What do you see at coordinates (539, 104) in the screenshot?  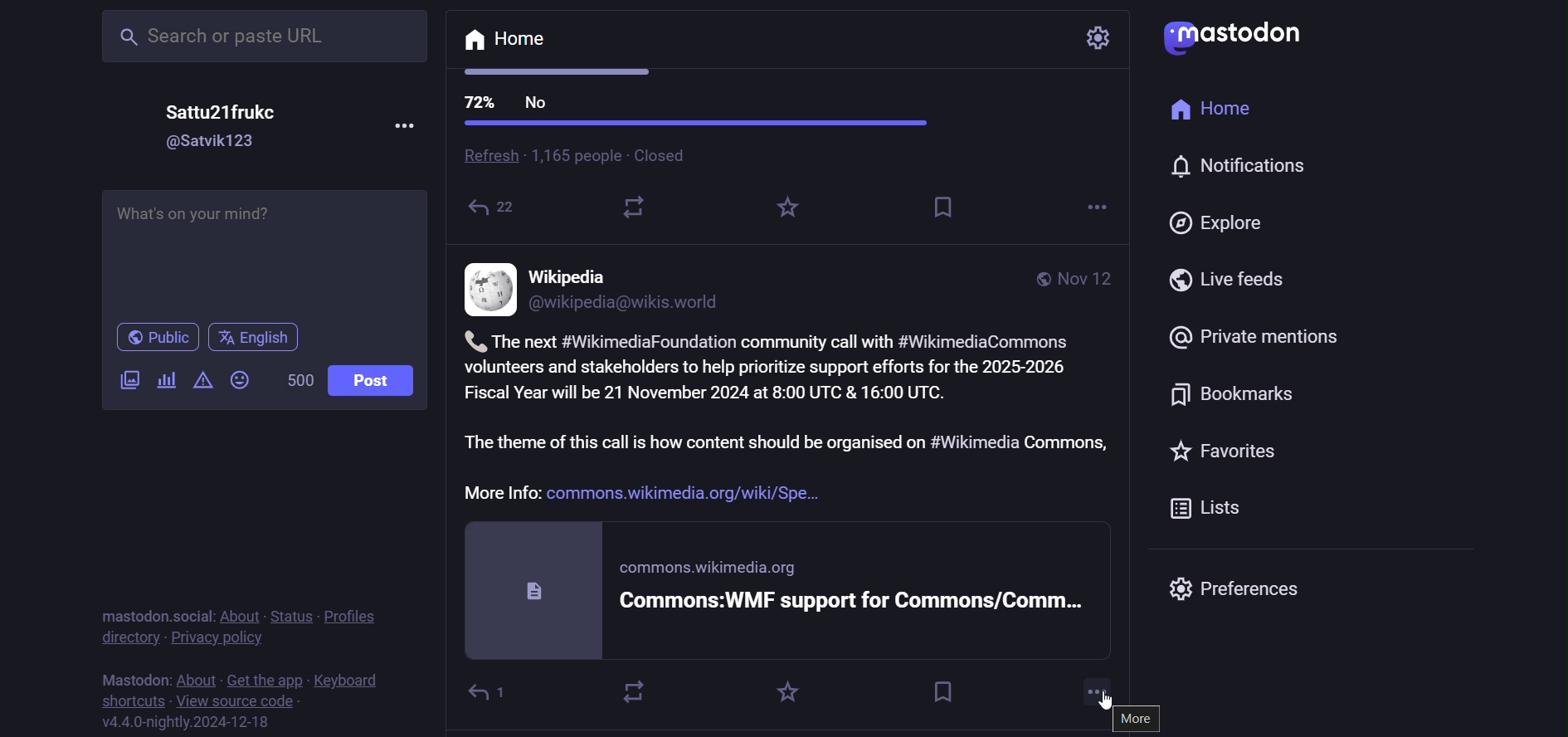 I see `No` at bounding box center [539, 104].